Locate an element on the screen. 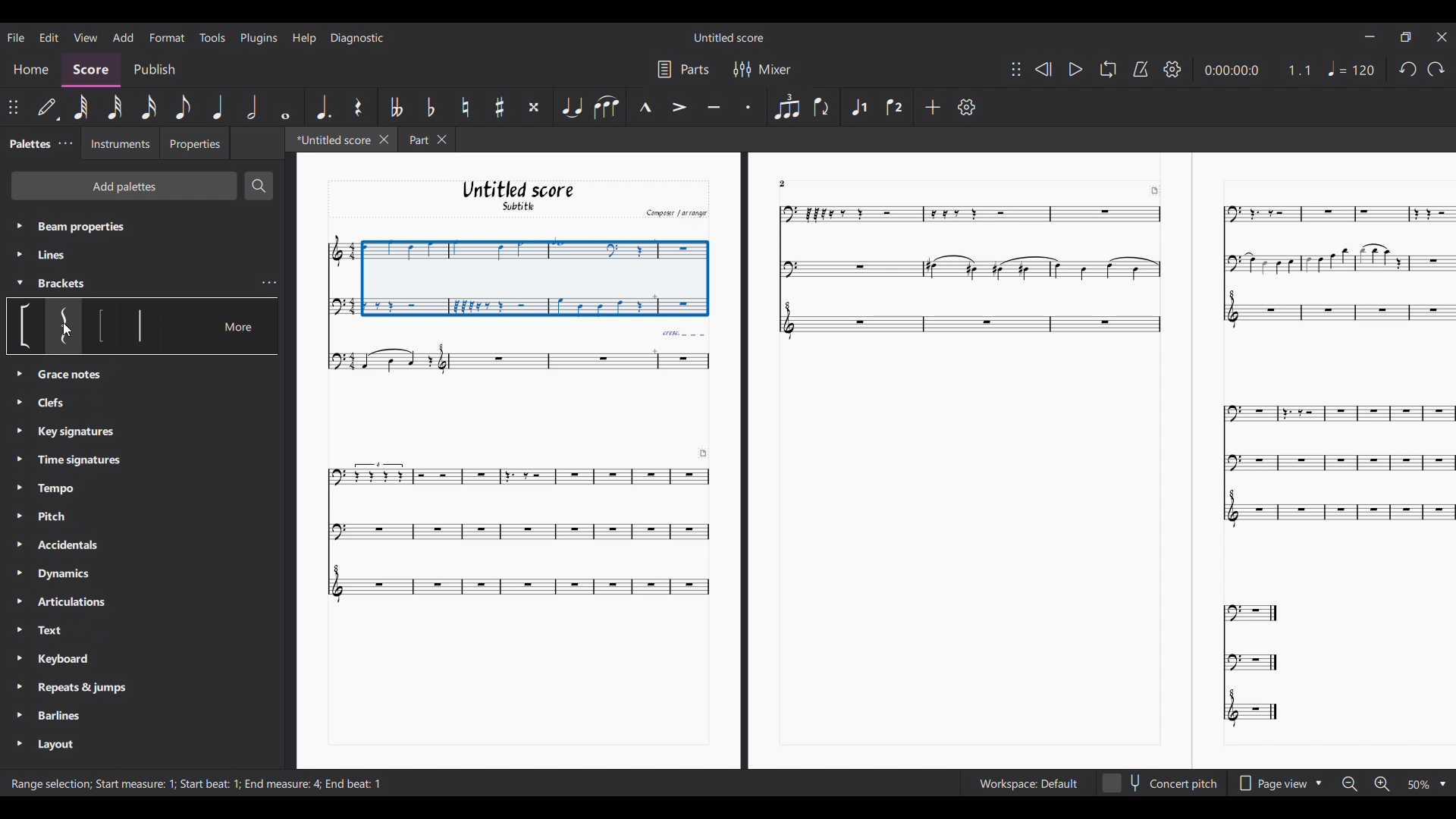   is located at coordinates (20, 659).